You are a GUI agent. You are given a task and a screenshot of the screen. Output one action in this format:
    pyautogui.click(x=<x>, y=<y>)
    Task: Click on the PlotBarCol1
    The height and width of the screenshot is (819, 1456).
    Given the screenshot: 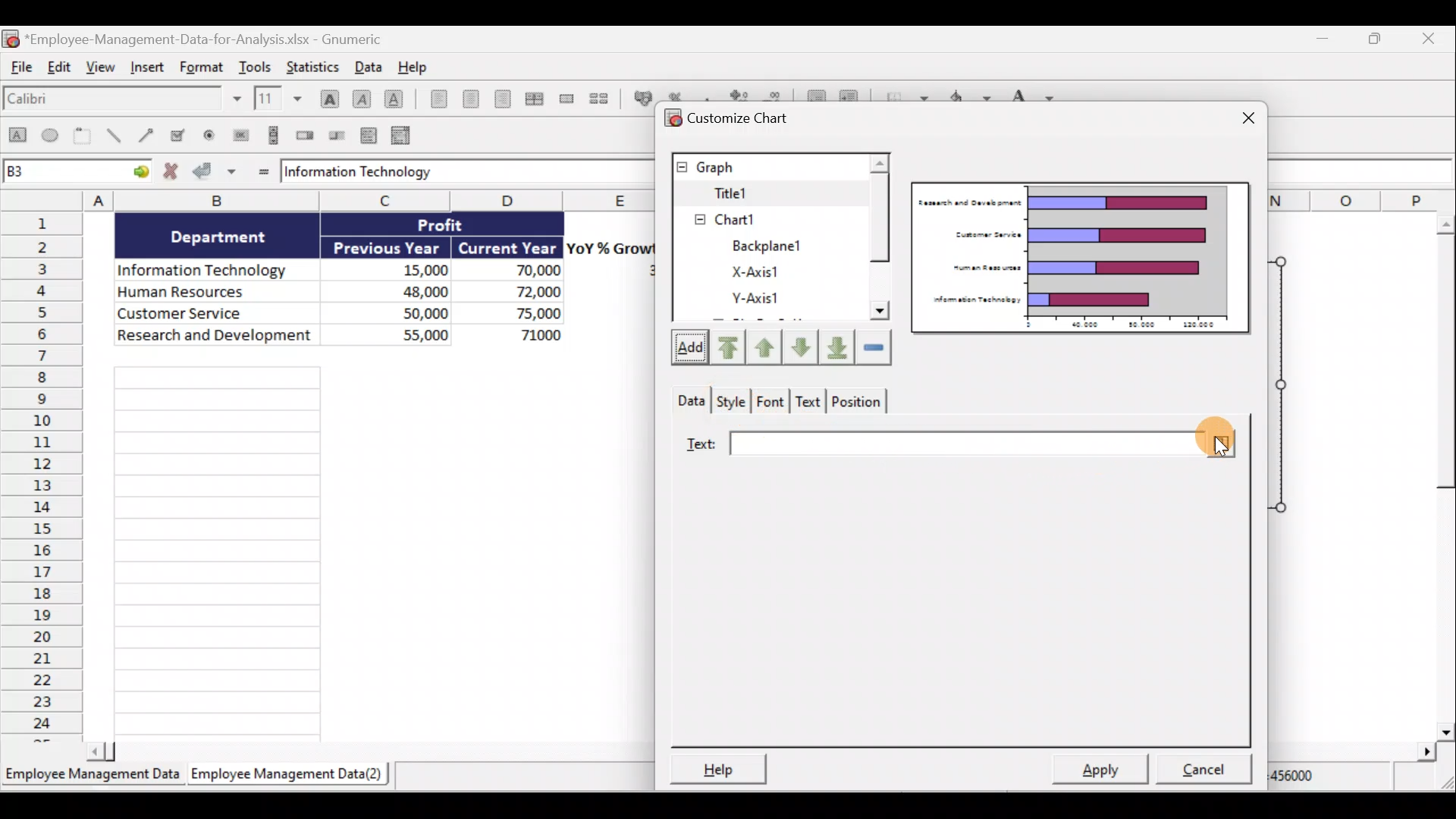 What is the action you would take?
    pyautogui.click(x=768, y=300)
    